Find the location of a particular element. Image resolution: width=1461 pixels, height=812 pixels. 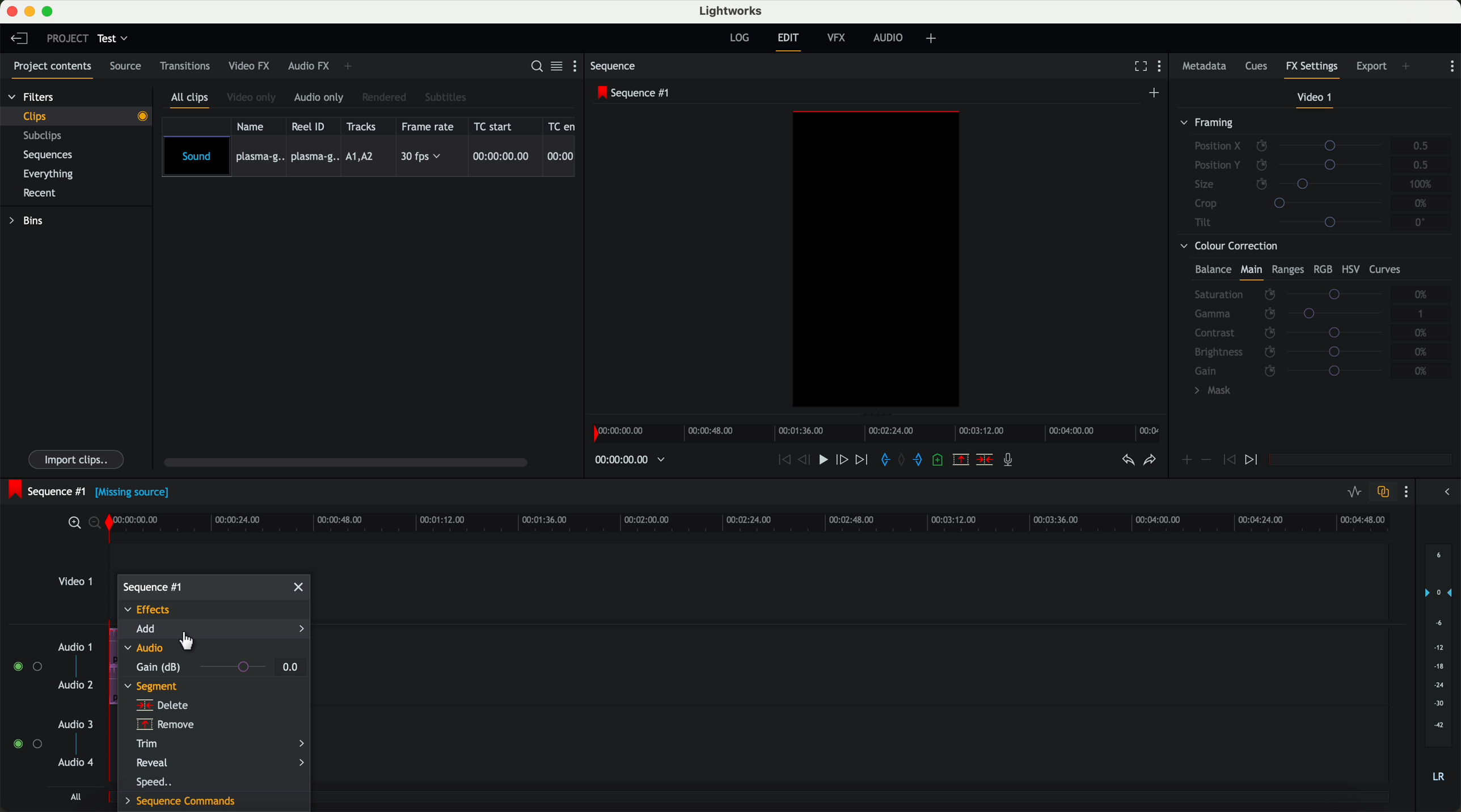

speed is located at coordinates (157, 782).